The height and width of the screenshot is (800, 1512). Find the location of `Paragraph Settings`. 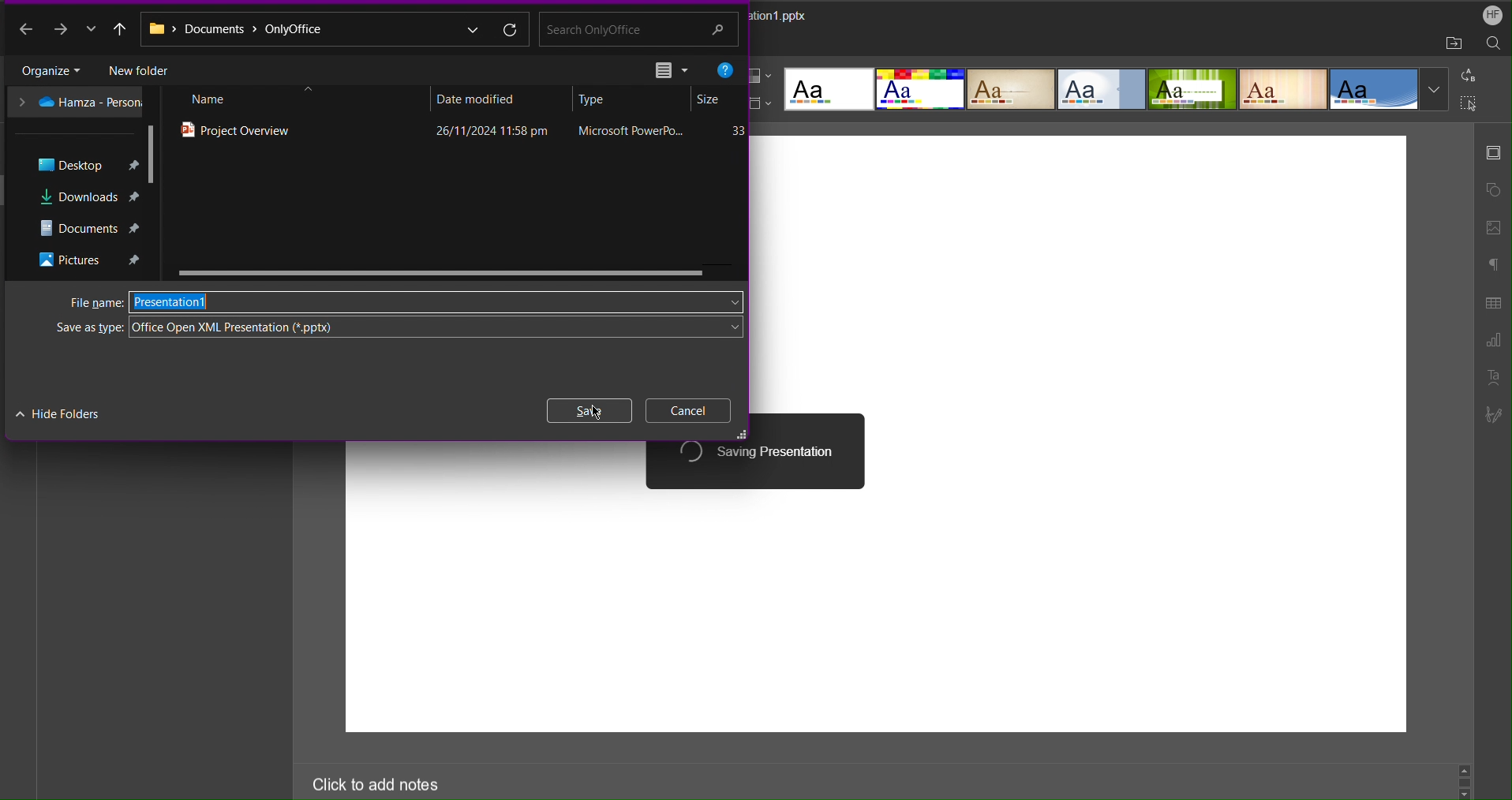

Paragraph Settings is located at coordinates (1493, 264).